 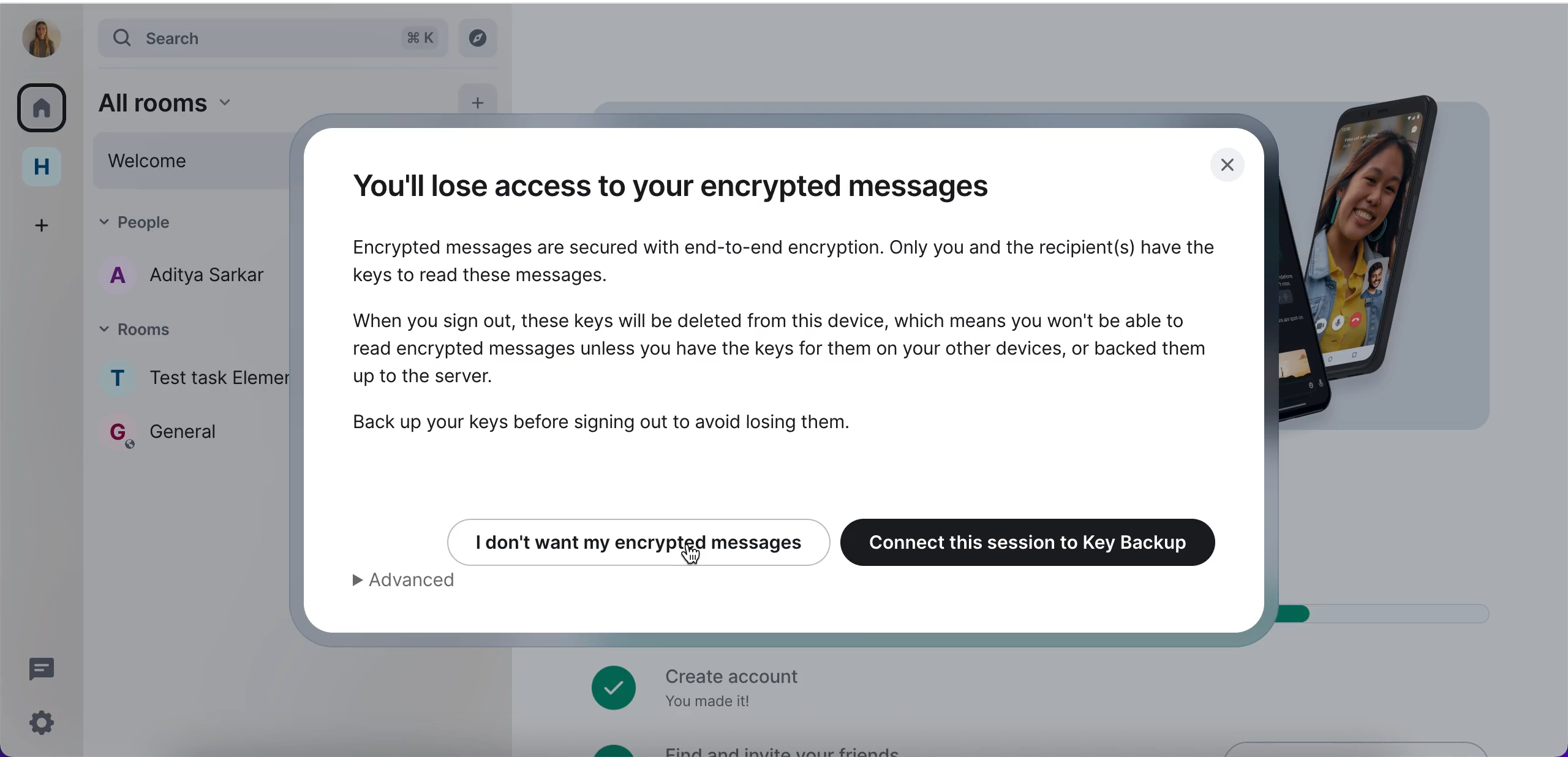 What do you see at coordinates (191, 325) in the screenshot?
I see `rooms` at bounding box center [191, 325].